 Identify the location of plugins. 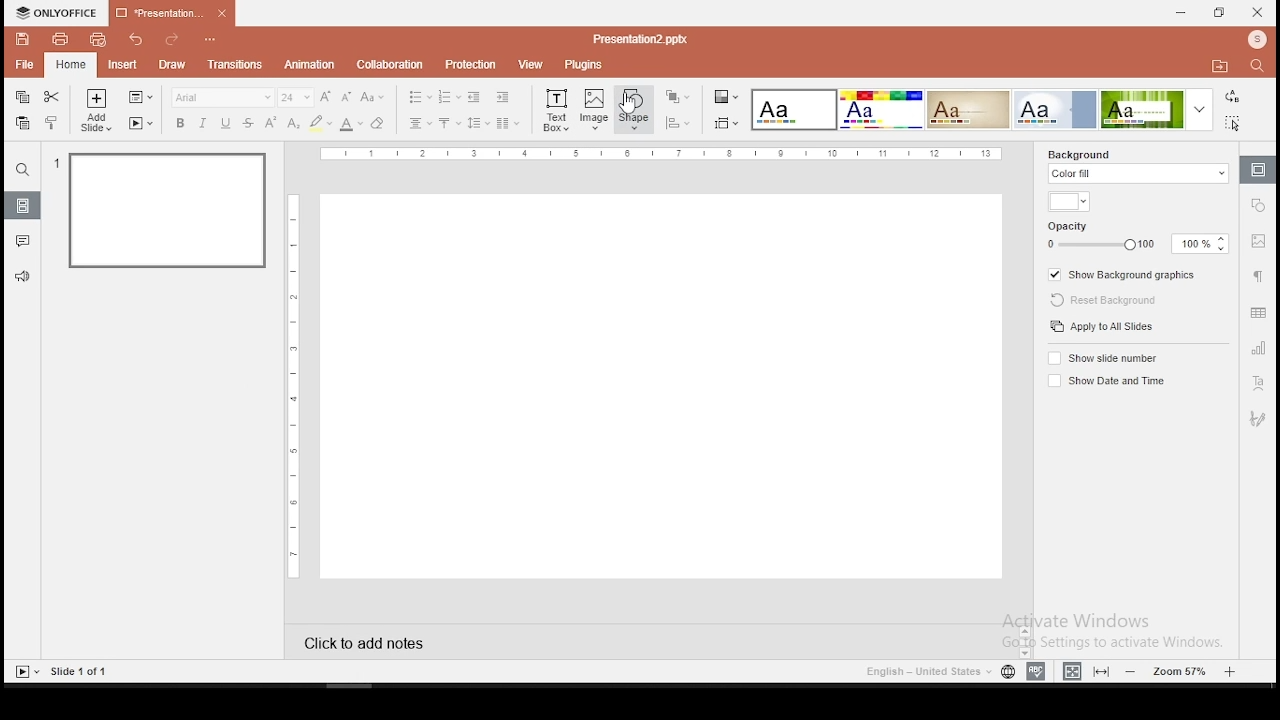
(584, 66).